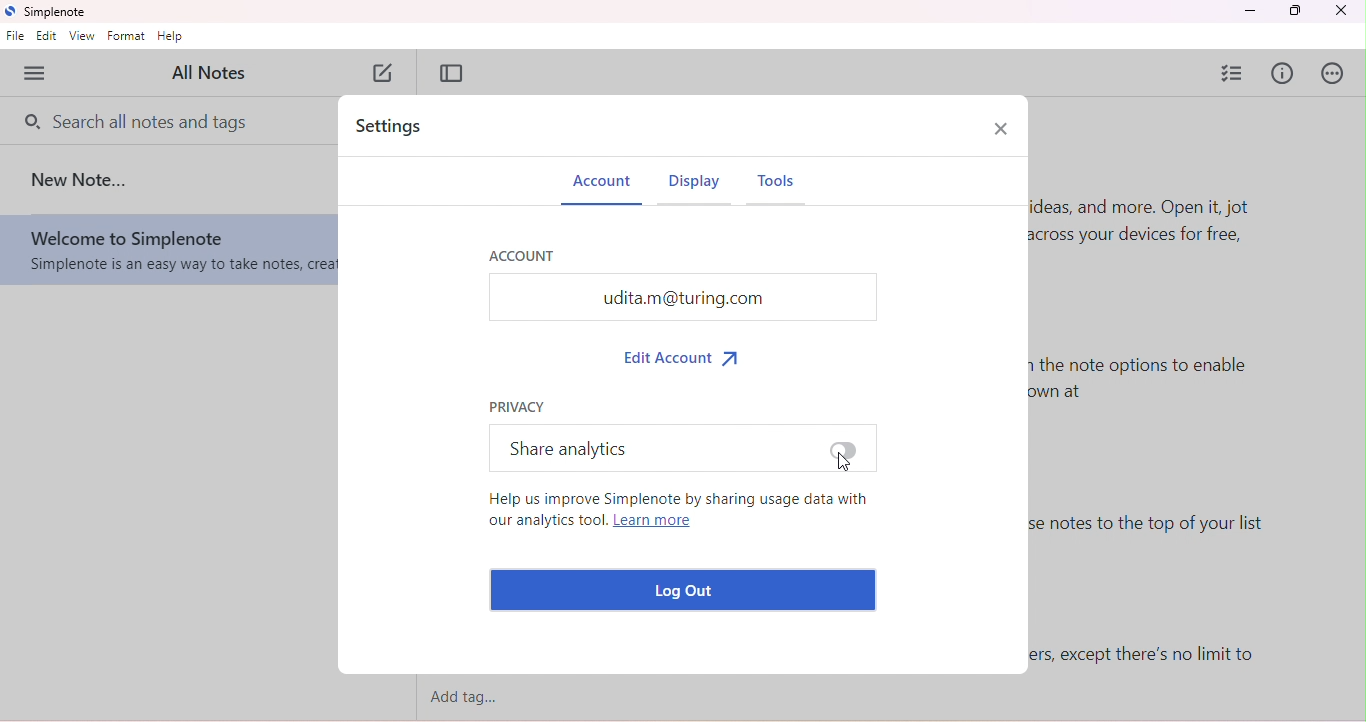 The image size is (1366, 722). Describe the element at coordinates (695, 187) in the screenshot. I see `display` at that location.